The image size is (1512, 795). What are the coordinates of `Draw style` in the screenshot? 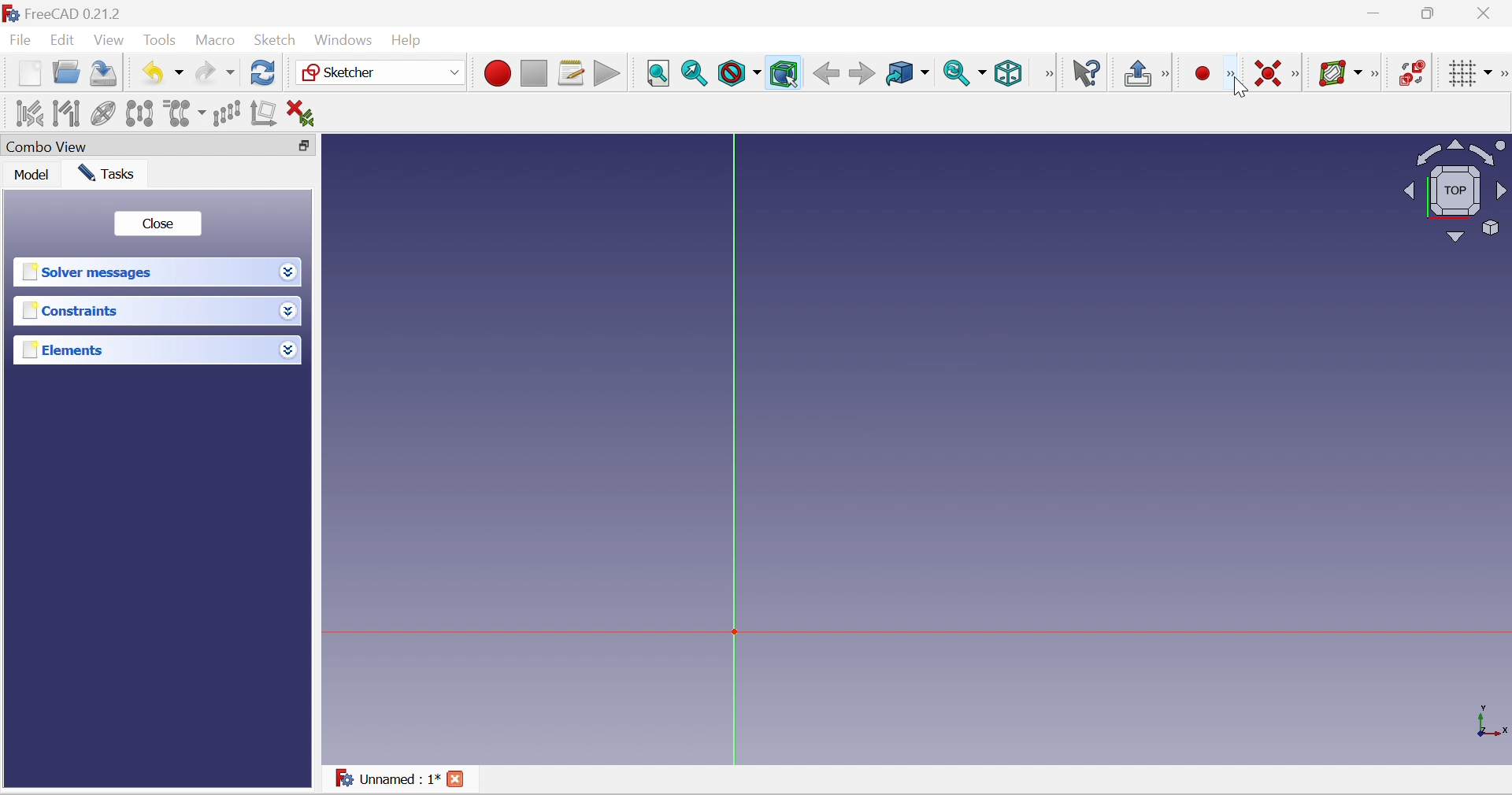 It's located at (738, 74).